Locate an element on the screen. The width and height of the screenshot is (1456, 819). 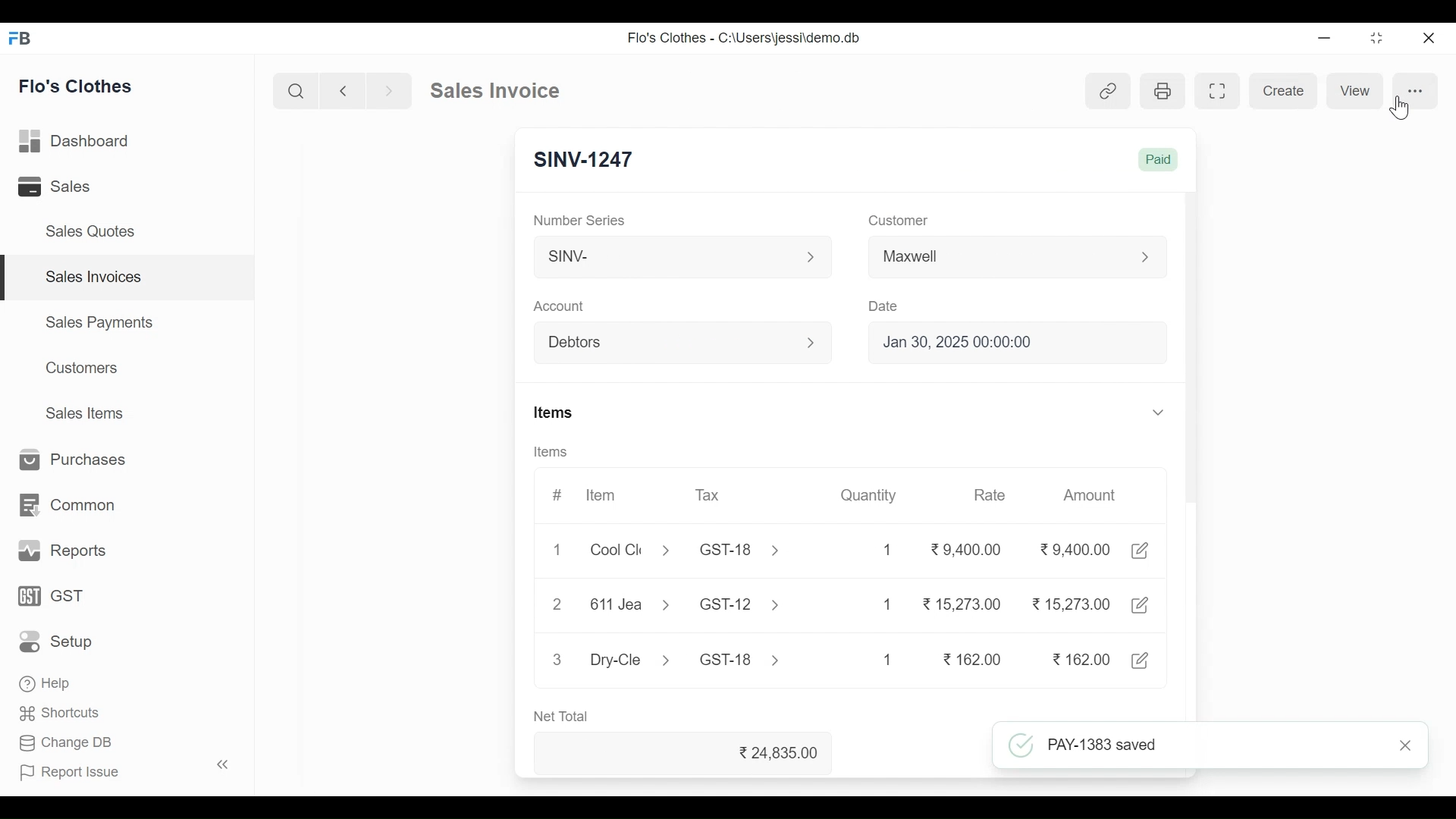
Customers is located at coordinates (84, 368).